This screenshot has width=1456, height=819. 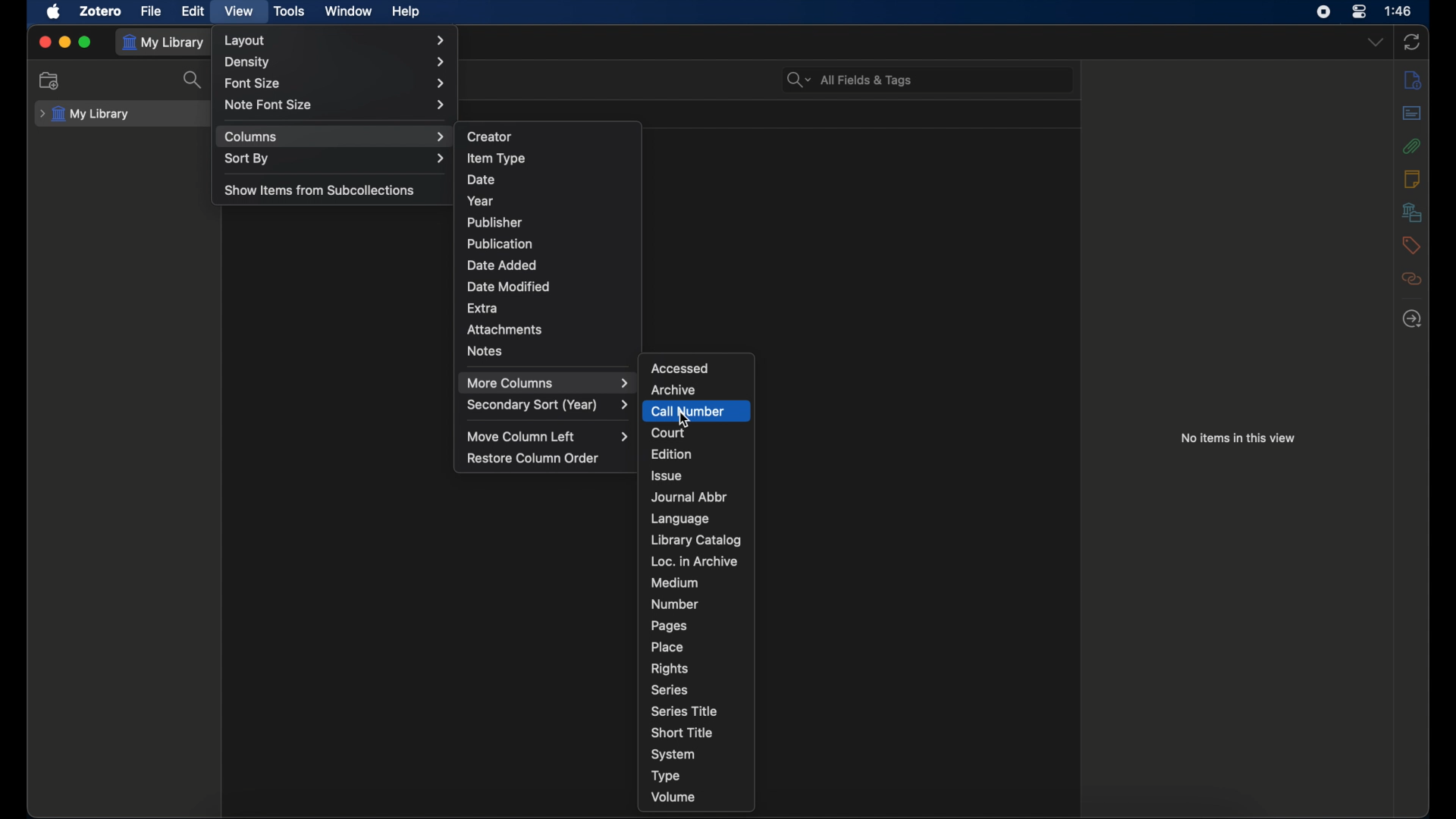 What do you see at coordinates (1412, 178) in the screenshot?
I see `notes` at bounding box center [1412, 178].